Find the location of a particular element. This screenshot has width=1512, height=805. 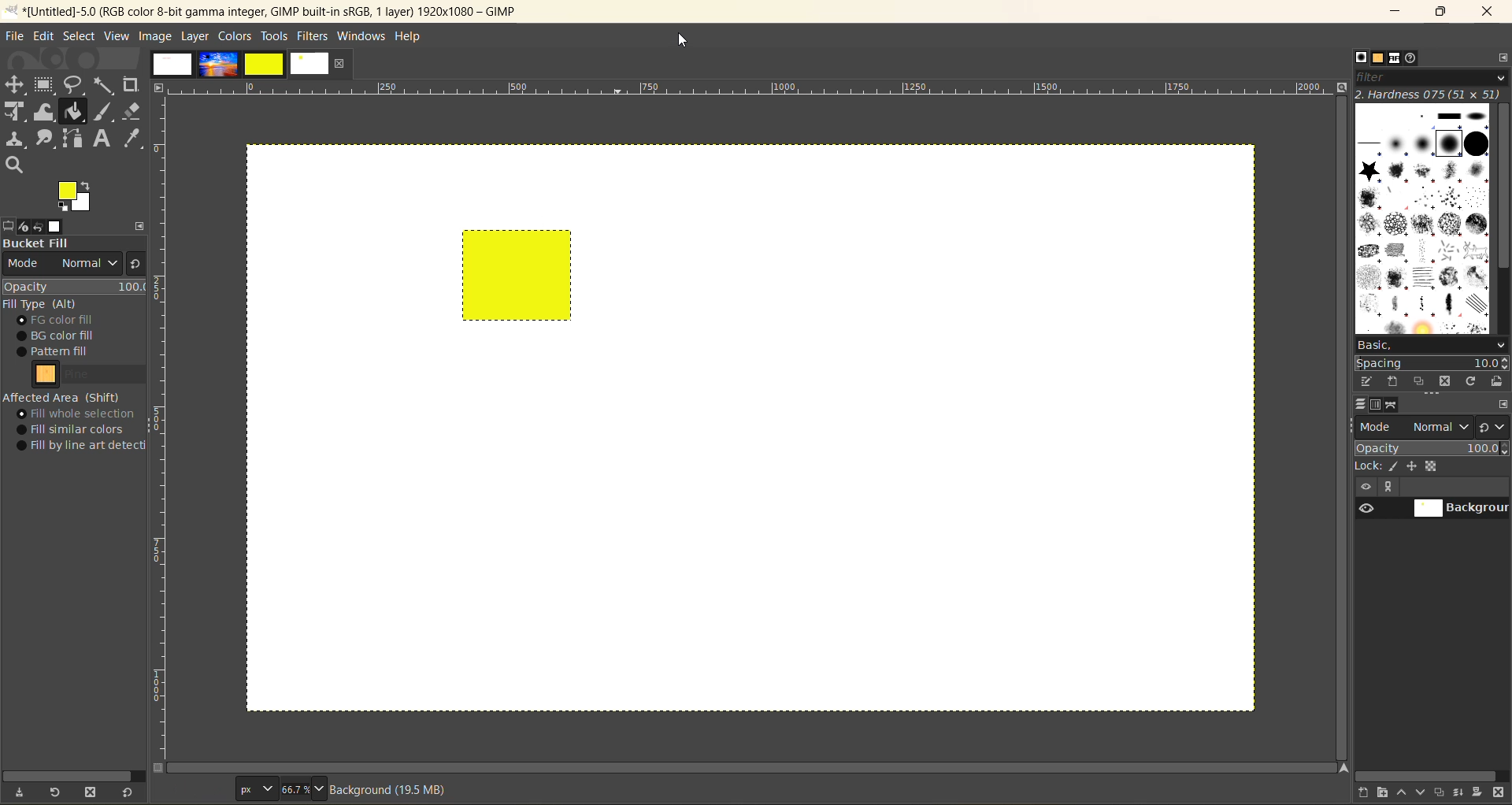

fg color is located at coordinates (78, 321).